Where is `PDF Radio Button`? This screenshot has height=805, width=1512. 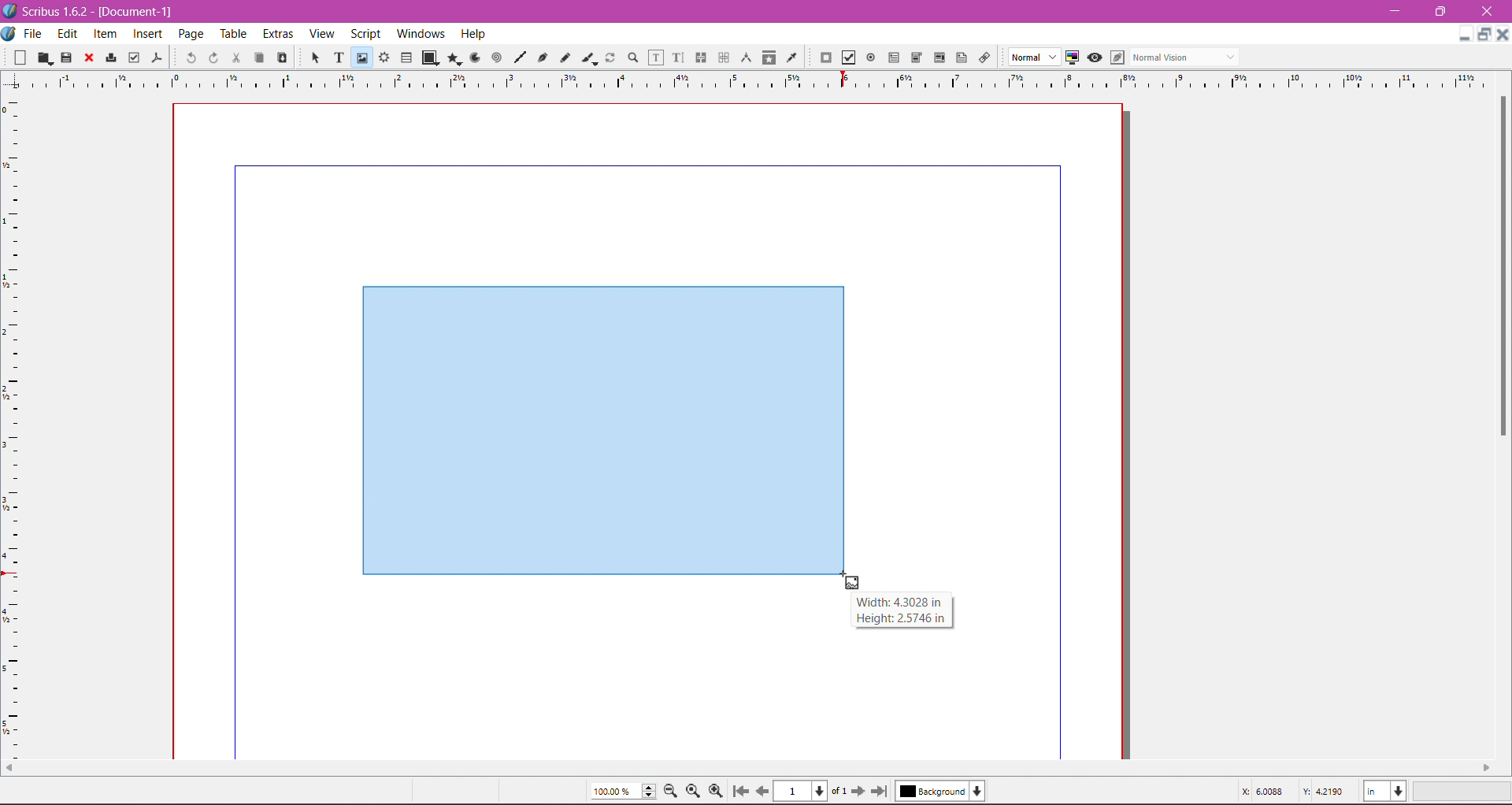
PDF Radio Button is located at coordinates (871, 57).